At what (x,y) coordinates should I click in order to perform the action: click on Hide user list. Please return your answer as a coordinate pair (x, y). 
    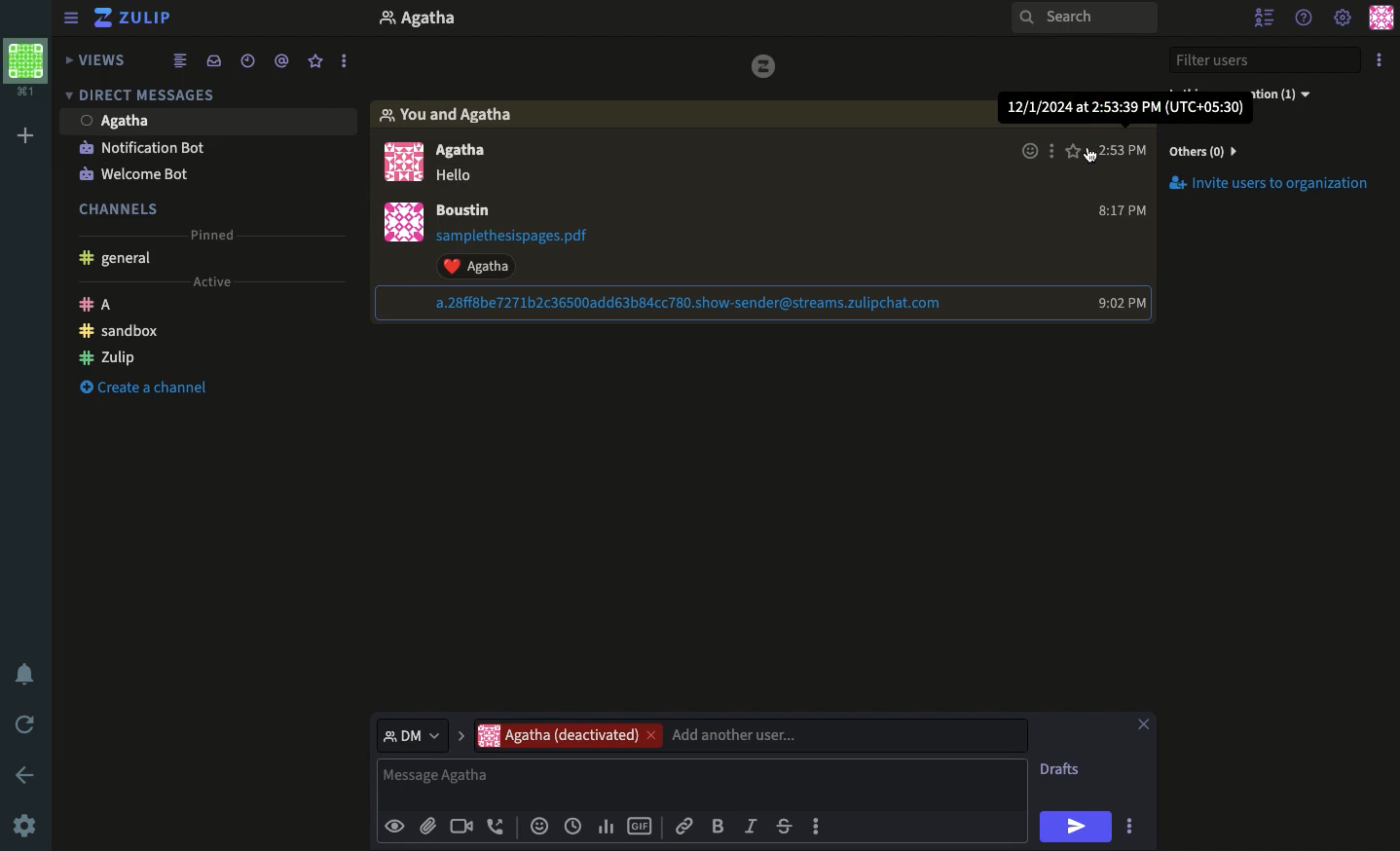
    Looking at the image, I should click on (1268, 16).